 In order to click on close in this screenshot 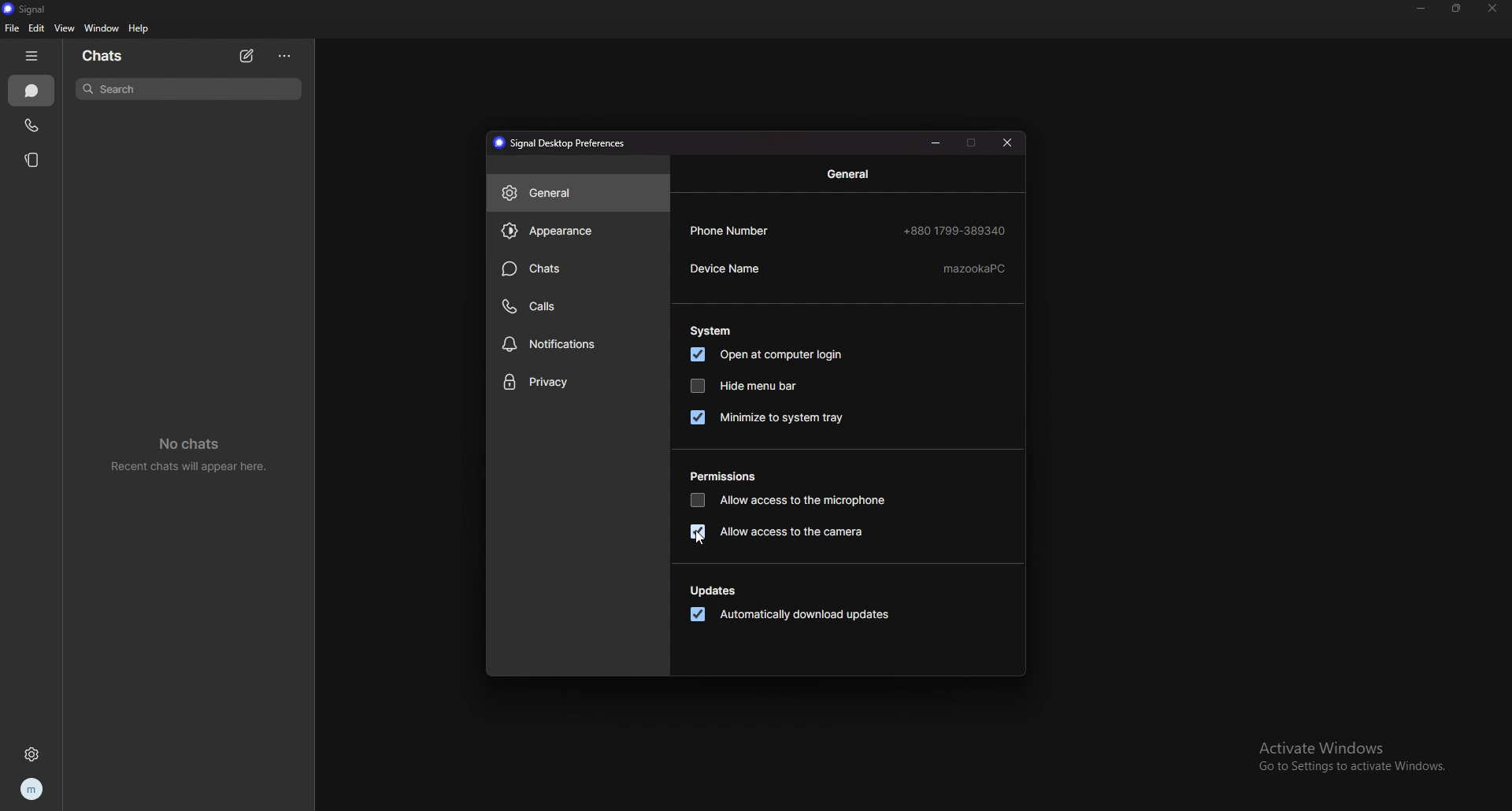, I will do `click(1008, 143)`.